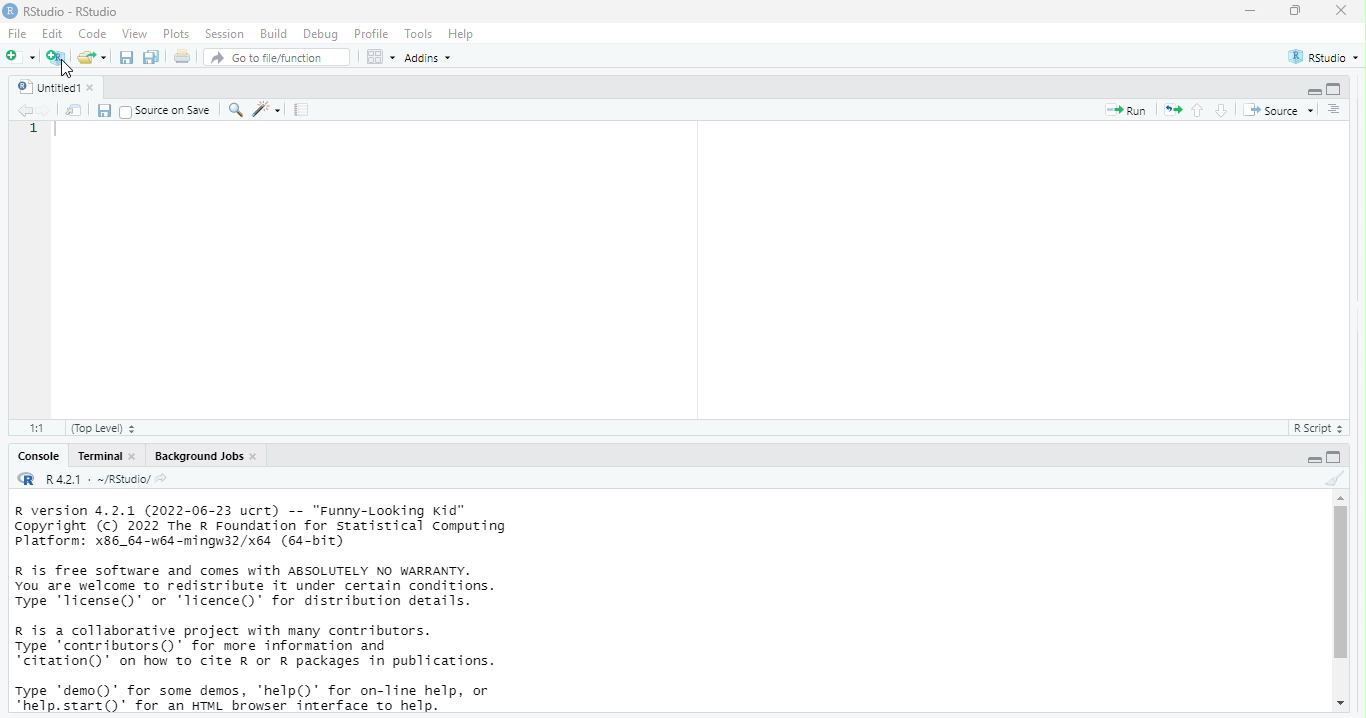 The image size is (1366, 718). What do you see at coordinates (1025, 271) in the screenshot?
I see `code area` at bounding box center [1025, 271].